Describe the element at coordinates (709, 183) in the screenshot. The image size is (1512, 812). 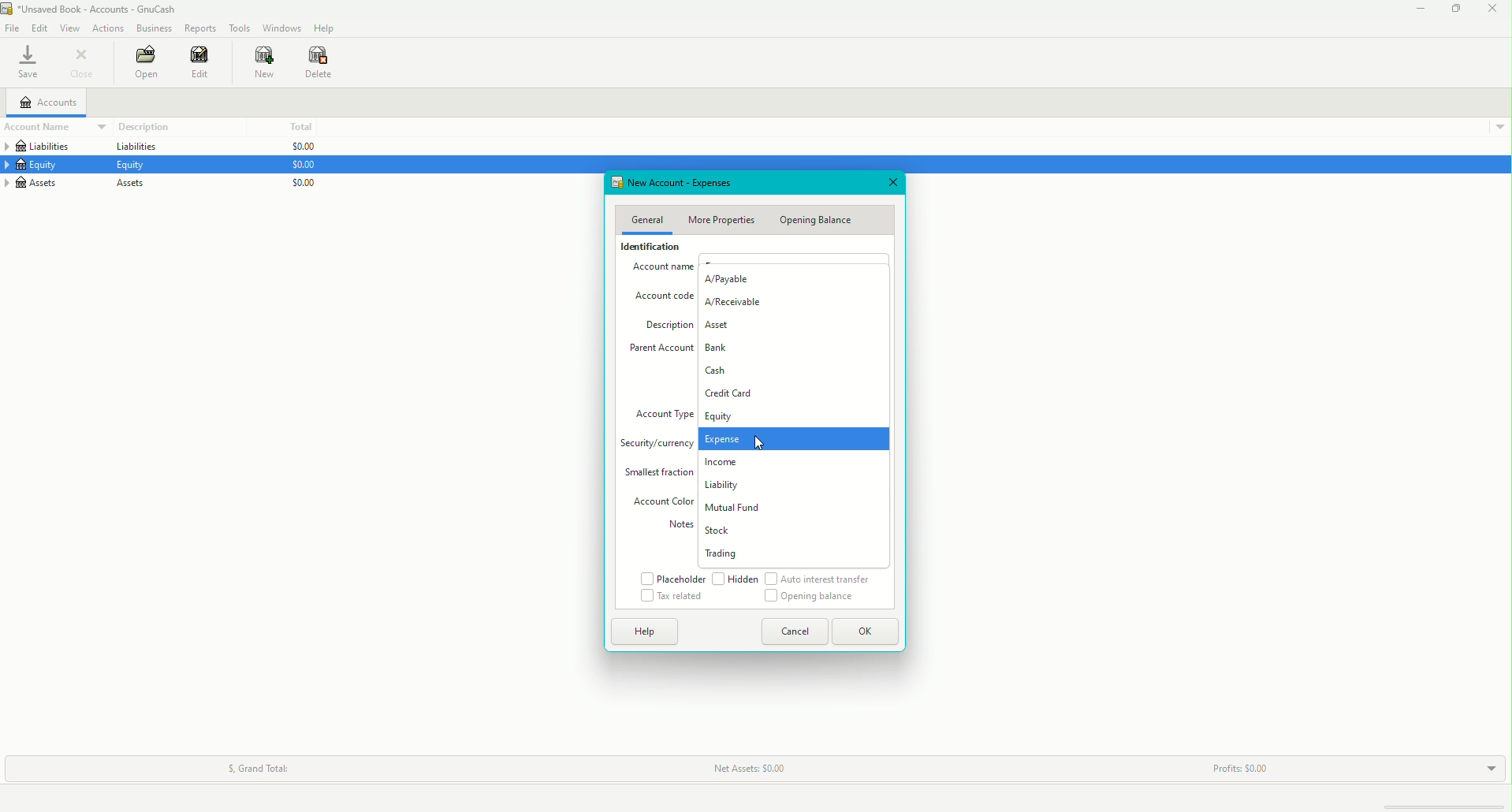
I see `New Account` at that location.